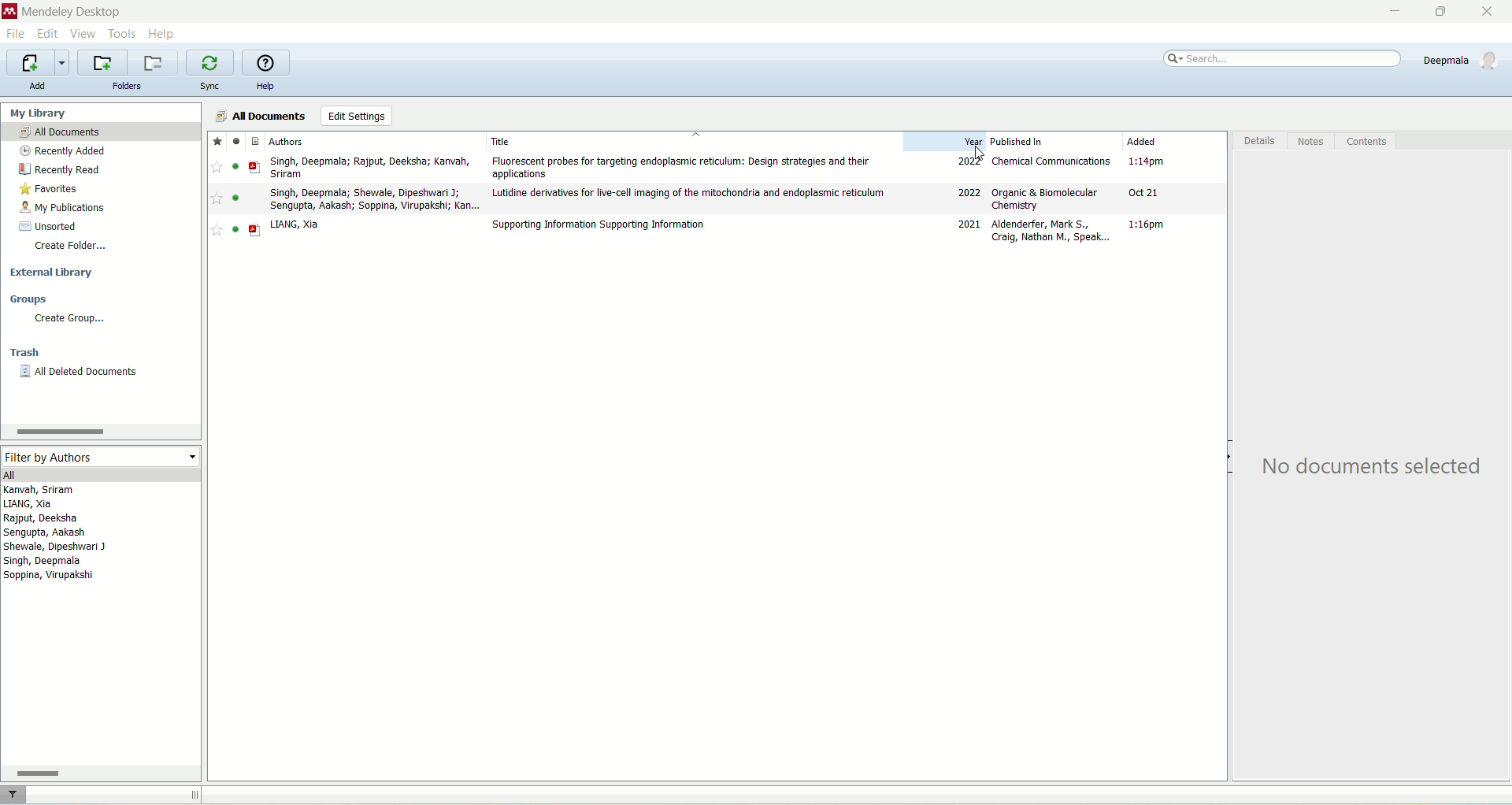  What do you see at coordinates (42, 113) in the screenshot?
I see `my library` at bounding box center [42, 113].